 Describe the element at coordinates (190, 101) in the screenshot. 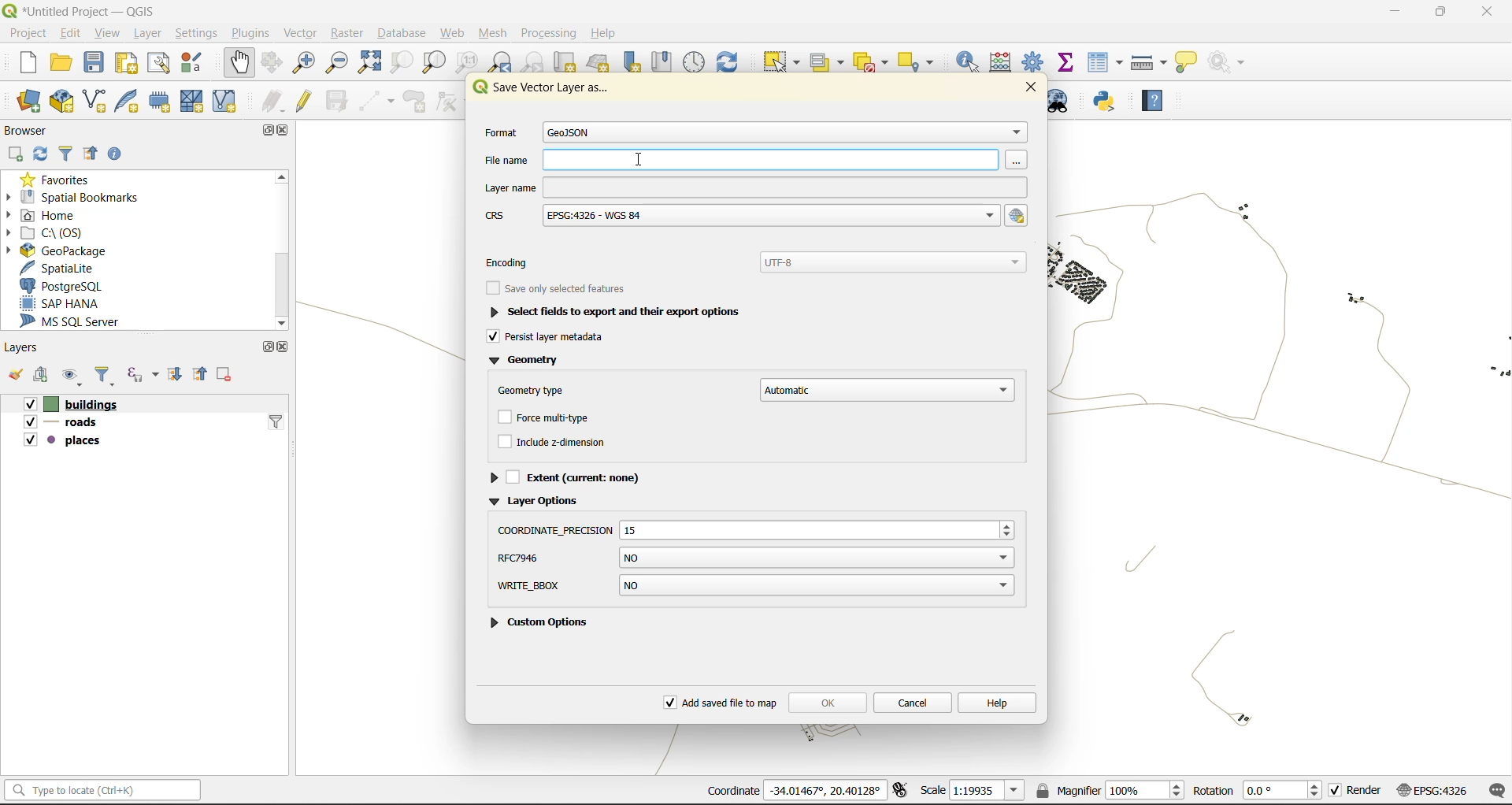

I see `new mesh` at that location.